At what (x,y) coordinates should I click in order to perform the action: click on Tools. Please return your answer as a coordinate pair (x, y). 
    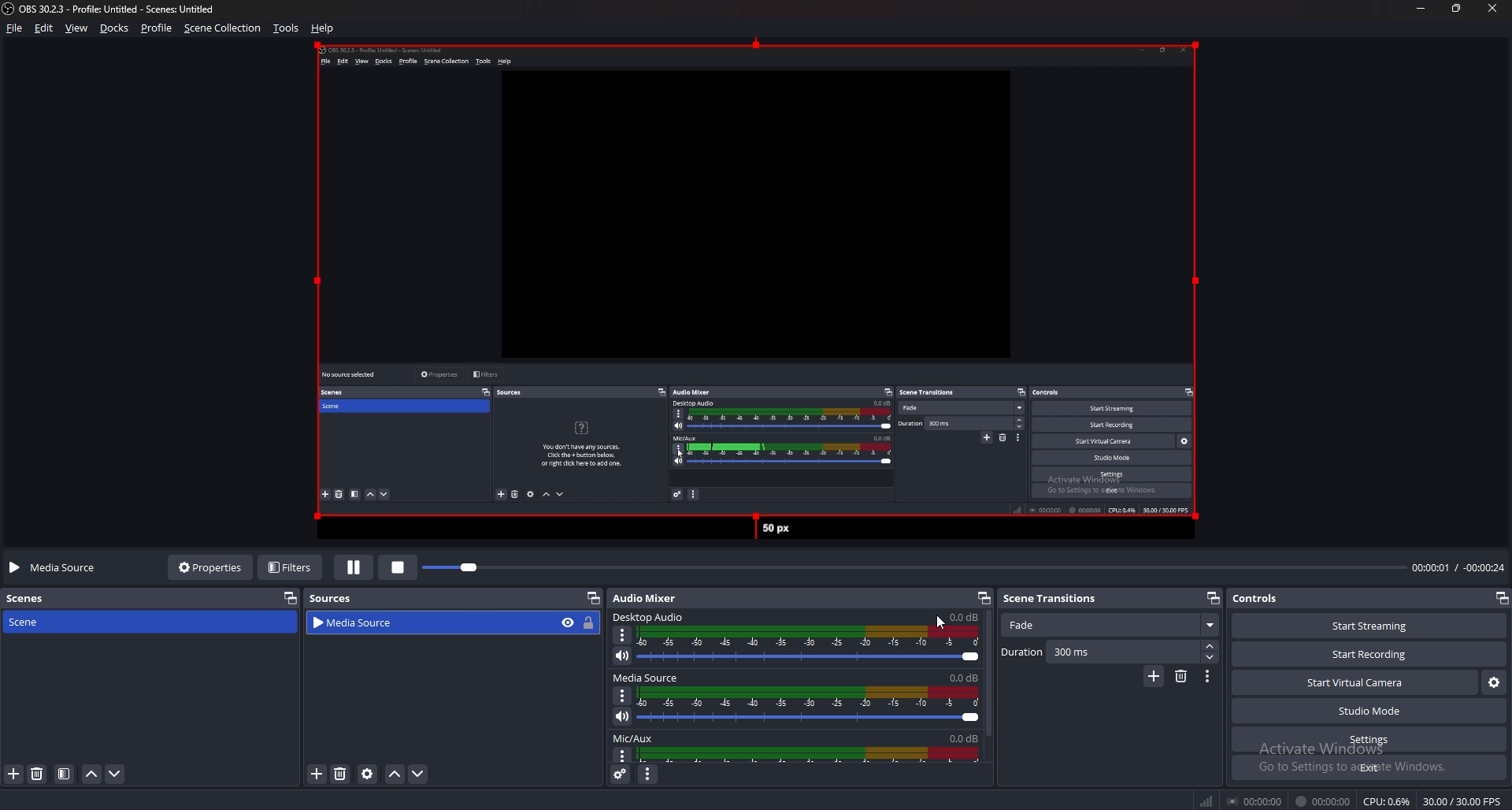
    Looking at the image, I should click on (287, 28).